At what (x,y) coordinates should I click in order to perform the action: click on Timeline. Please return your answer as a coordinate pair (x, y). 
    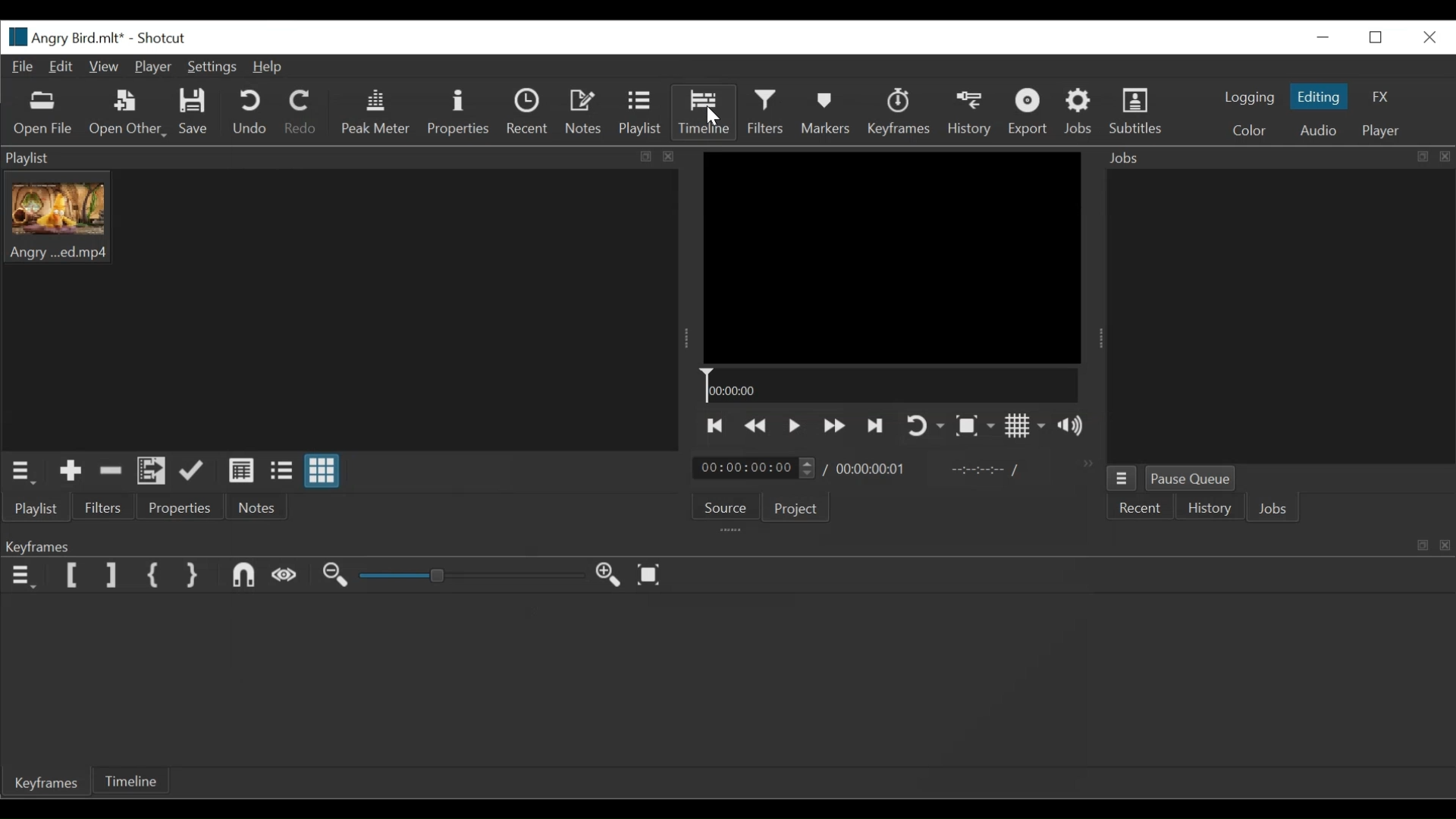
    Looking at the image, I should click on (704, 111).